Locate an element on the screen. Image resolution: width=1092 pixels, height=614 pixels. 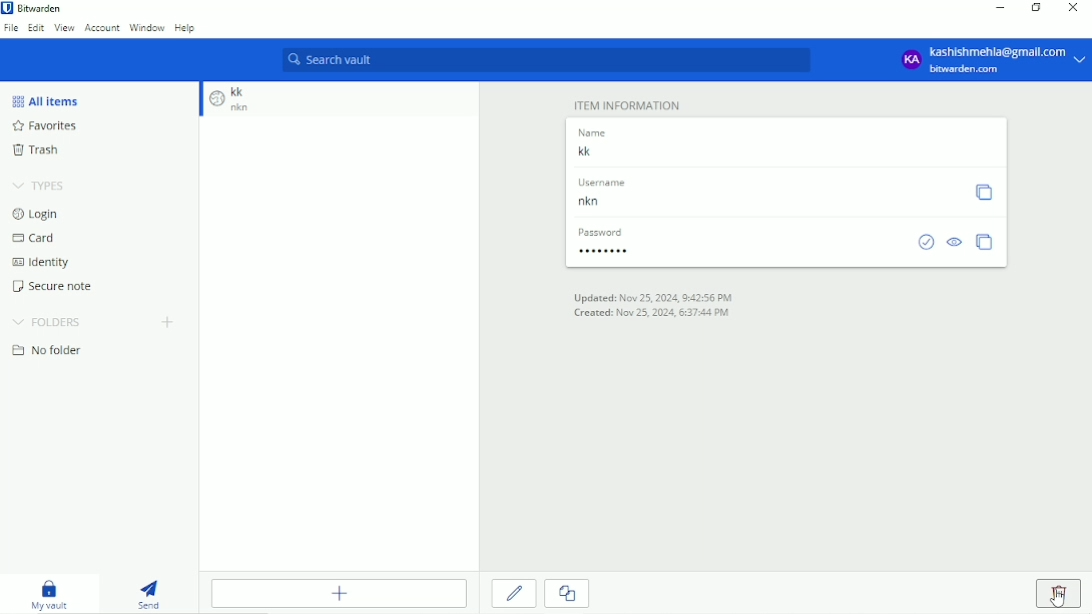
Copy is located at coordinates (984, 193).